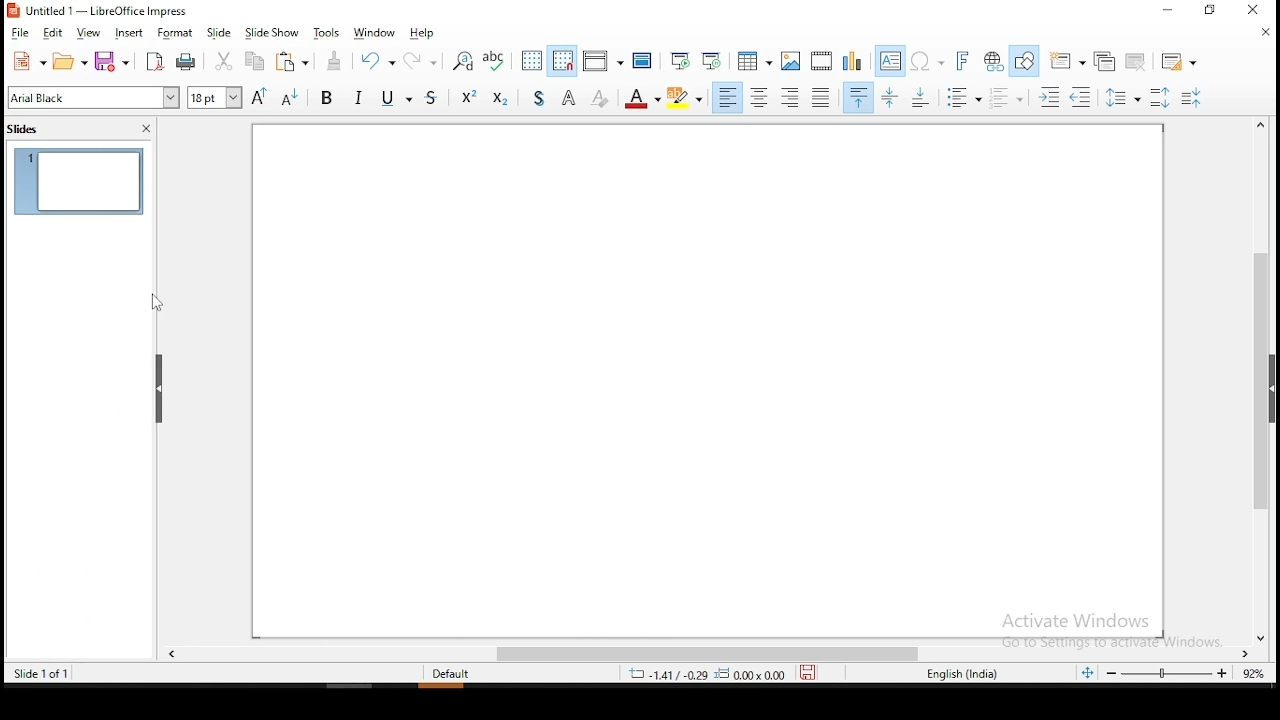 This screenshot has width=1280, height=720. What do you see at coordinates (212, 99) in the screenshot?
I see `font size` at bounding box center [212, 99].